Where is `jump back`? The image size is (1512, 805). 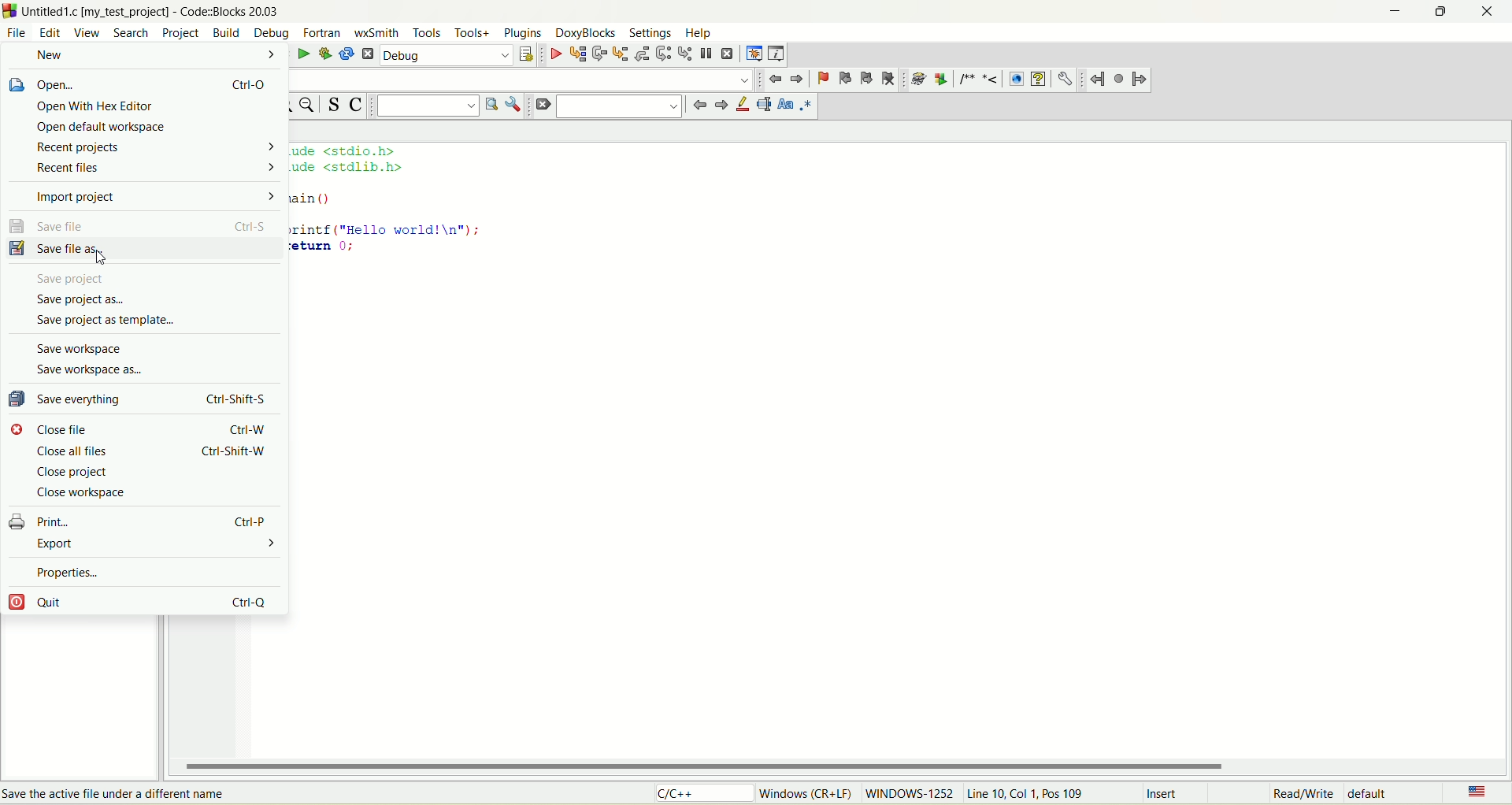 jump back is located at coordinates (697, 105).